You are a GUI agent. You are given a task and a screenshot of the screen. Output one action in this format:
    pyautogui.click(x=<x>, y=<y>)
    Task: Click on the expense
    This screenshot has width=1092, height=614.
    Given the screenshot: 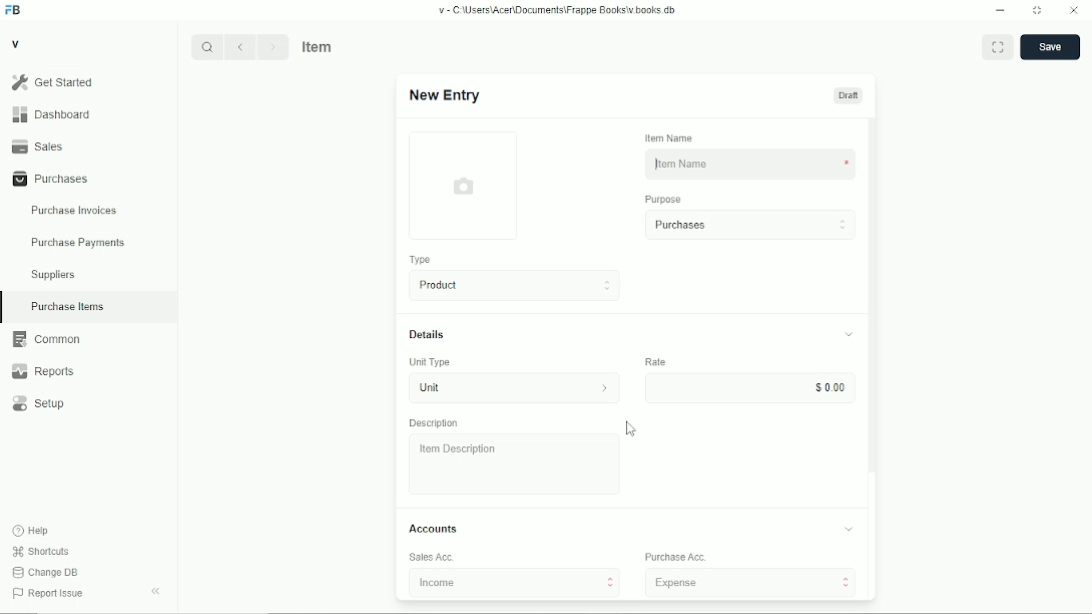 What is the action you would take?
    pyautogui.click(x=751, y=582)
    